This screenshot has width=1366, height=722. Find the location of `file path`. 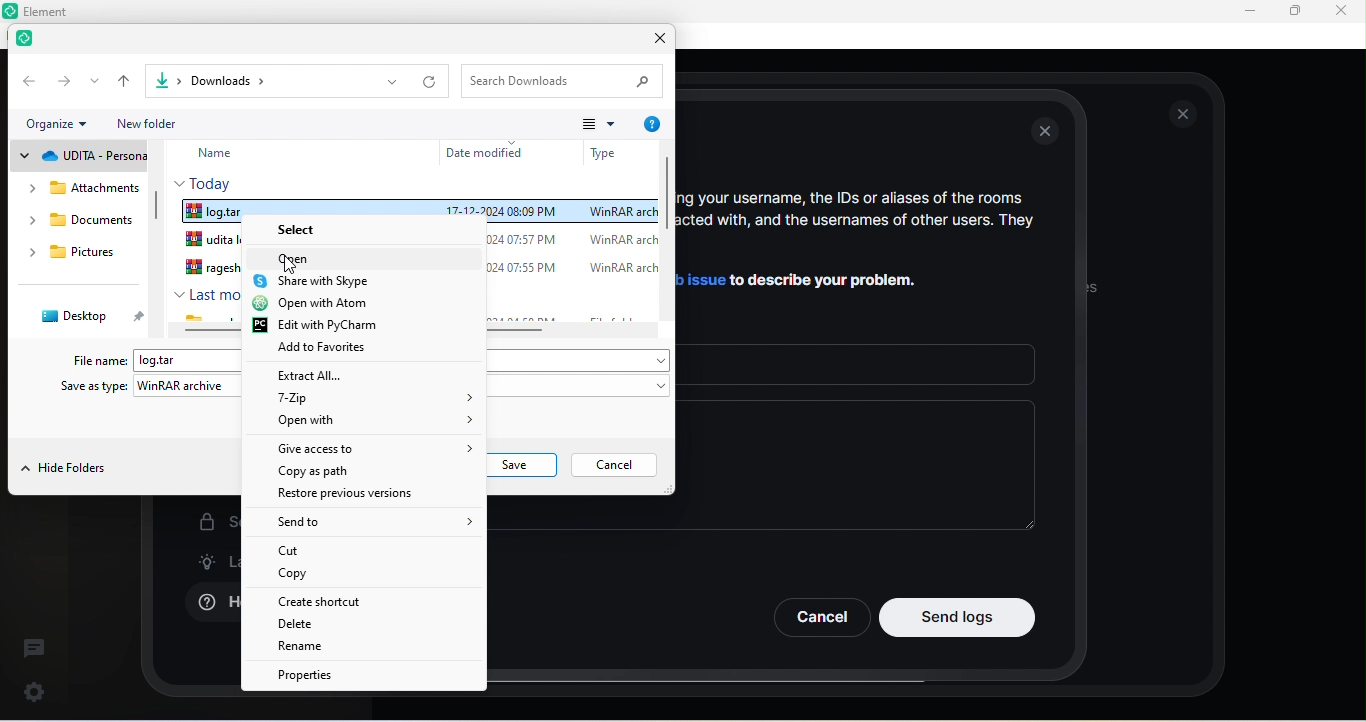

file path is located at coordinates (249, 80).